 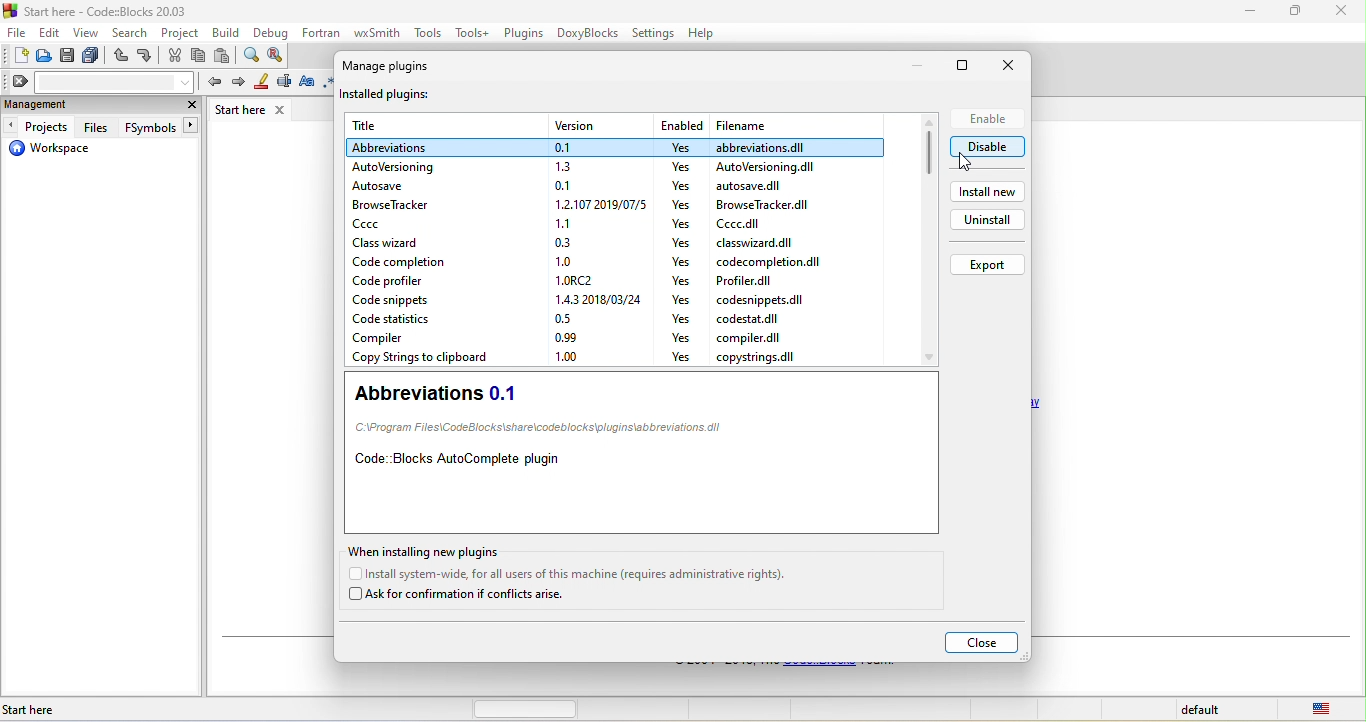 I want to click on file, so click(x=756, y=320).